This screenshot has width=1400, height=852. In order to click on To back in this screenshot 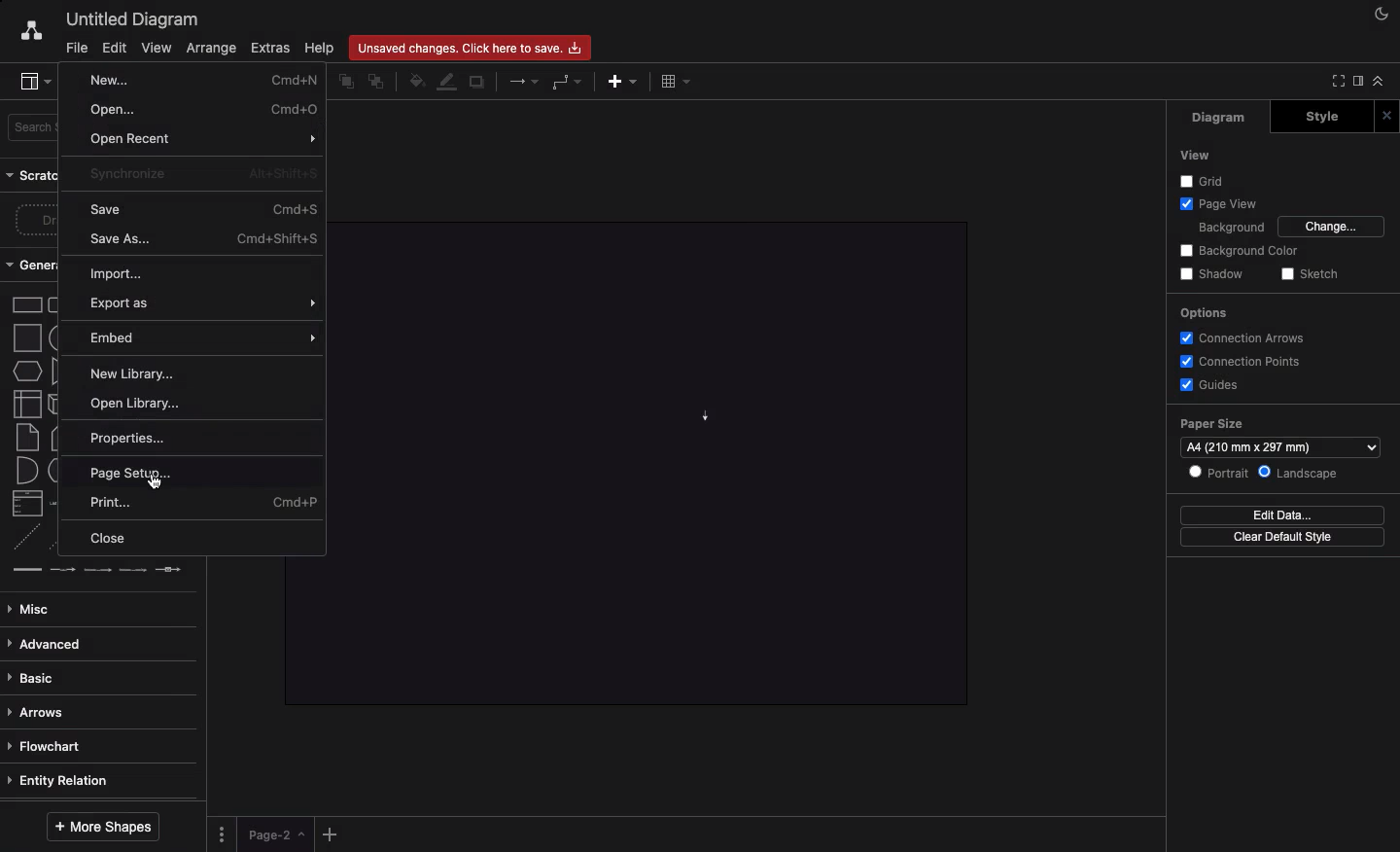, I will do `click(378, 81)`.